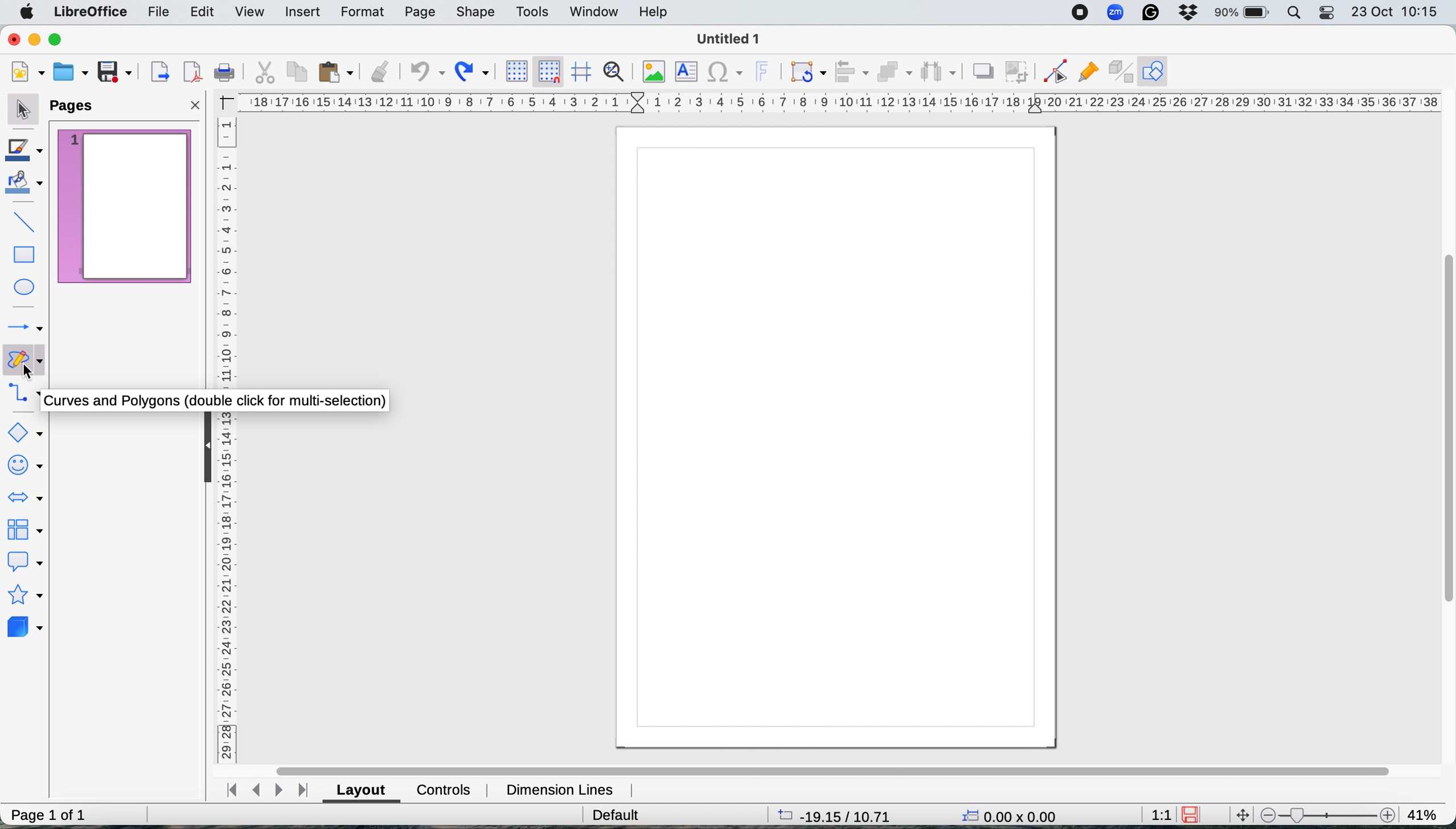 Image resolution: width=1456 pixels, height=829 pixels. What do you see at coordinates (1330, 813) in the screenshot?
I see `zoom scale` at bounding box center [1330, 813].